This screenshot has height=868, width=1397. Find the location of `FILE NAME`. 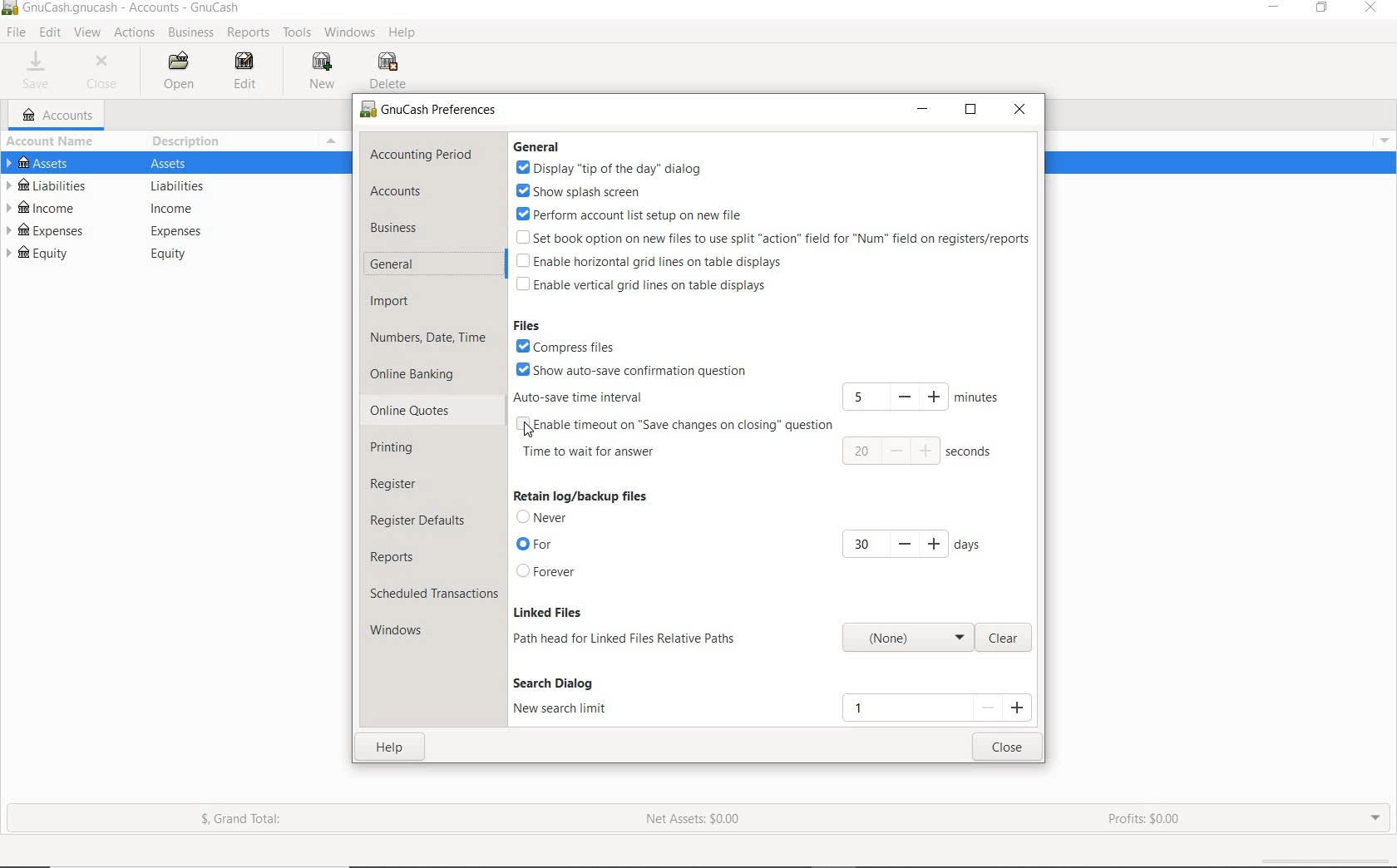

FILE NAME is located at coordinates (122, 7).